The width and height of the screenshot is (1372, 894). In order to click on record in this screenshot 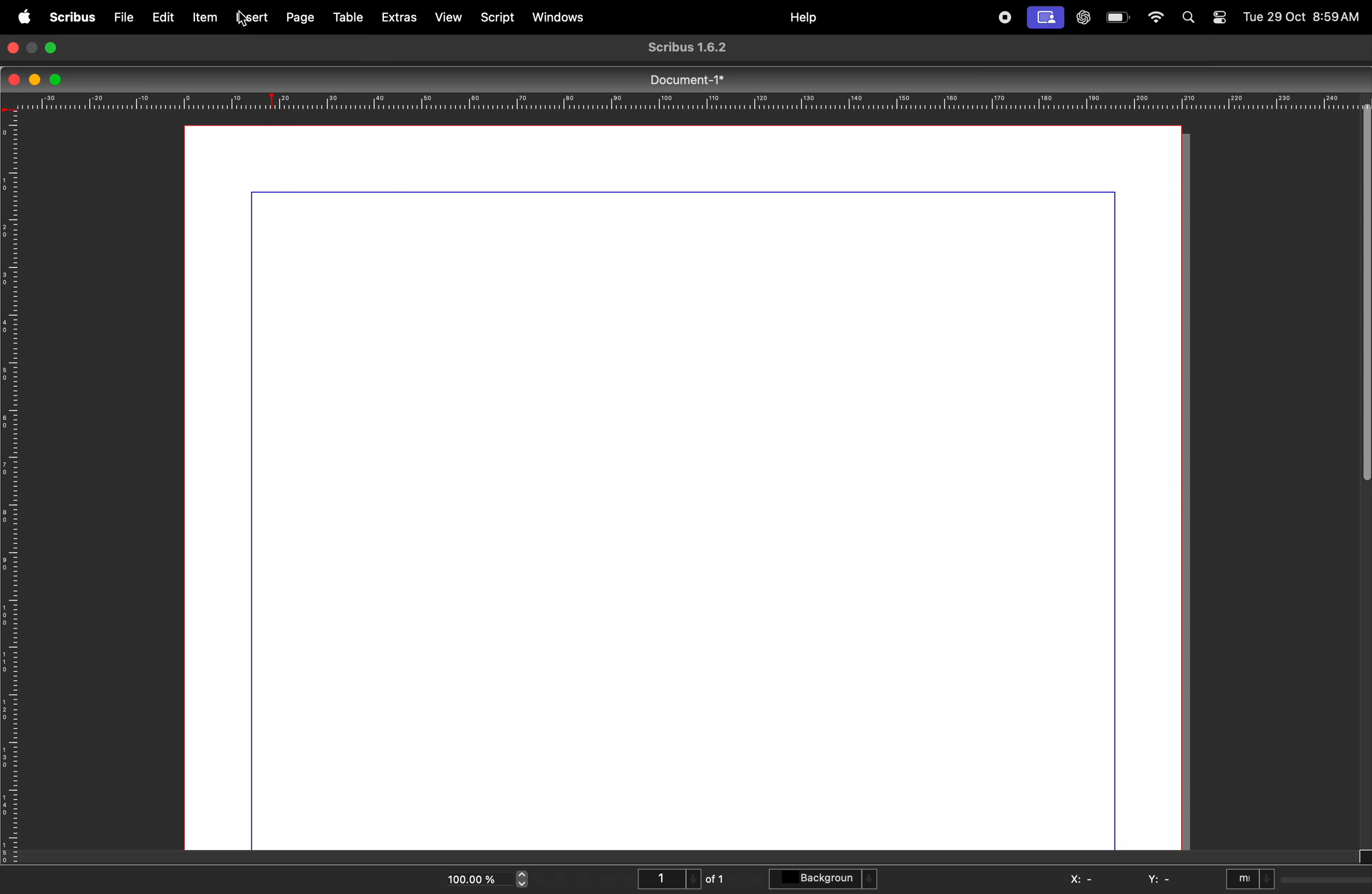, I will do `click(1004, 17)`.